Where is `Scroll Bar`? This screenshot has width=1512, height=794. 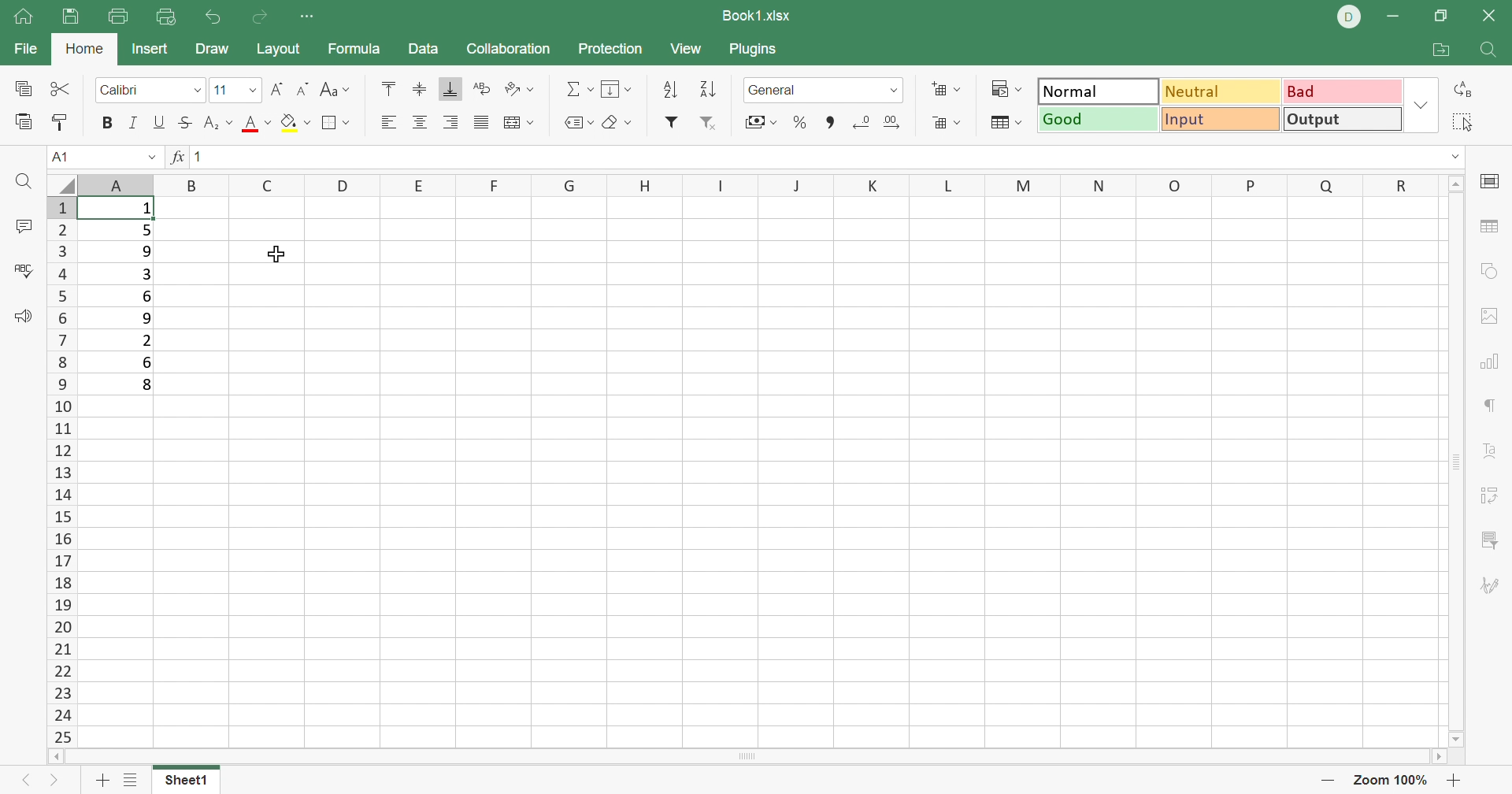 Scroll Bar is located at coordinates (829, 122).